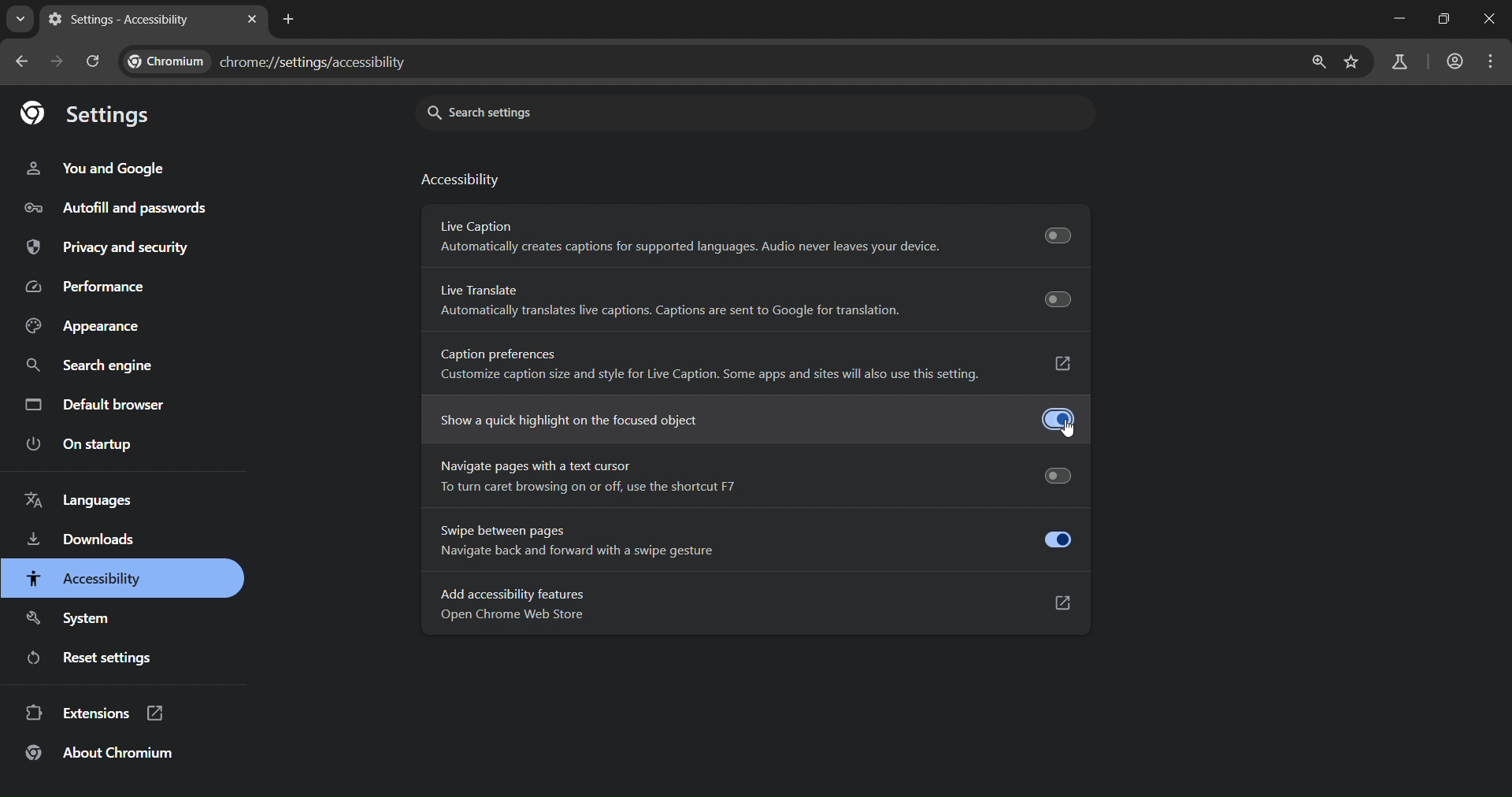 This screenshot has height=797, width=1512. Describe the element at coordinates (98, 753) in the screenshot. I see `about chromium` at that location.